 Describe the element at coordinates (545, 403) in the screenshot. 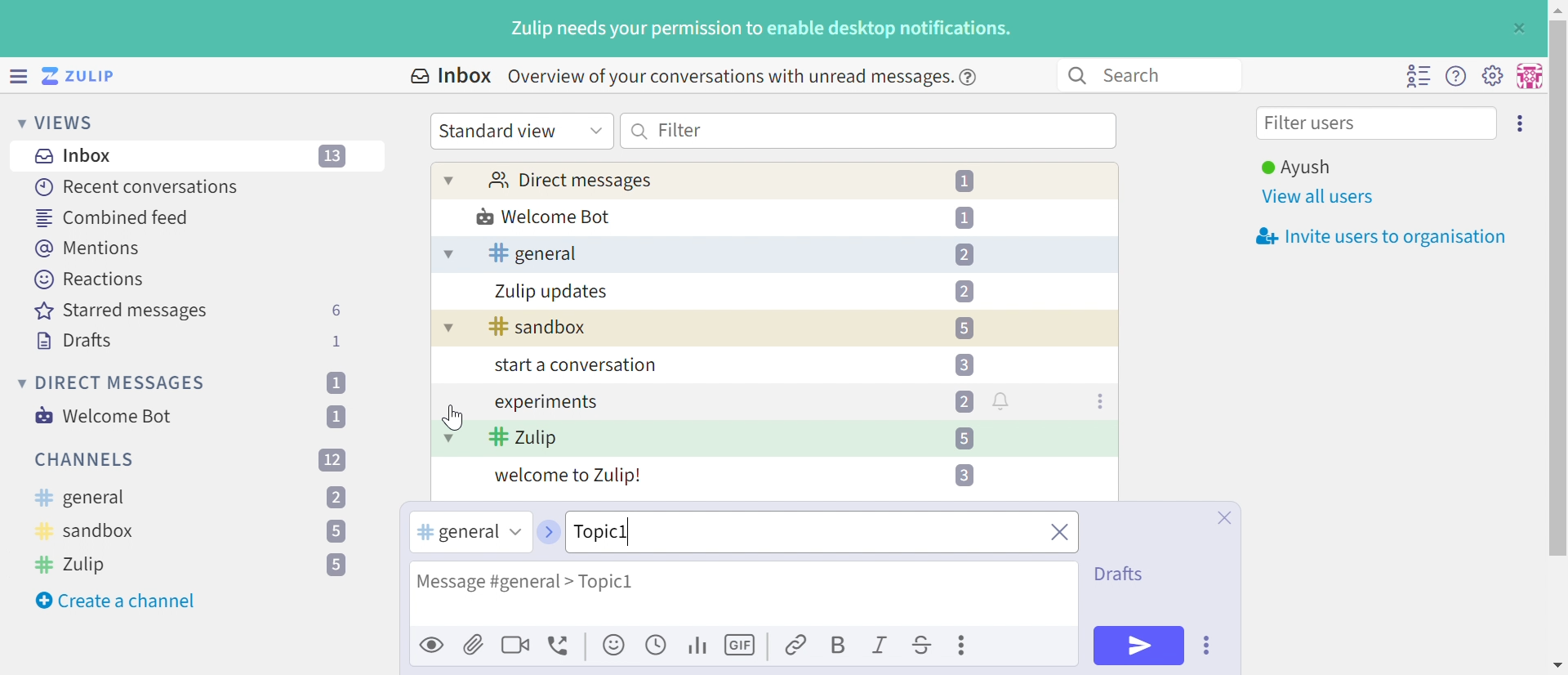

I see `experiments` at that location.